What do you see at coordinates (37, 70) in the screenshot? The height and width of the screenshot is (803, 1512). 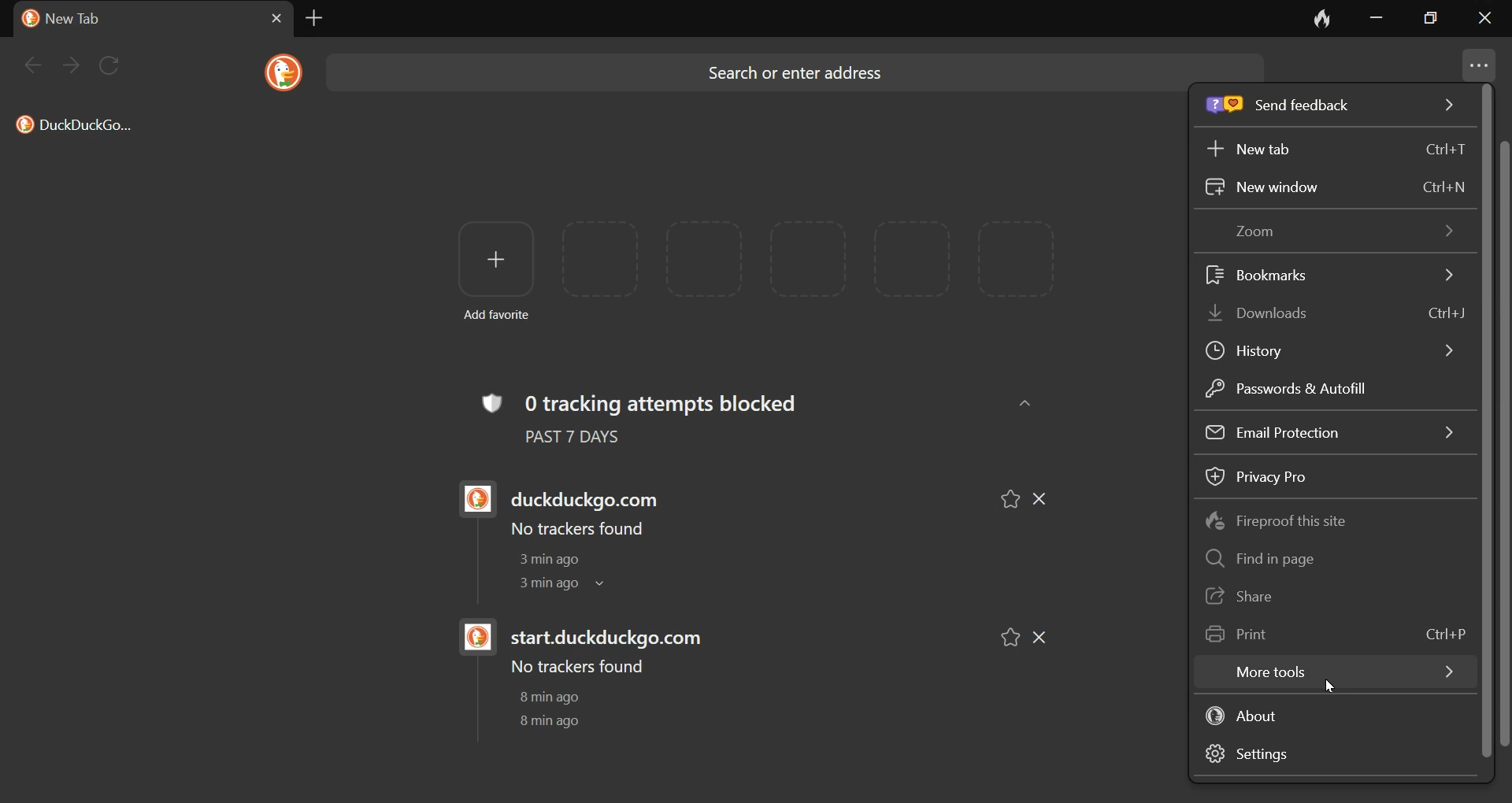 I see `back` at bounding box center [37, 70].